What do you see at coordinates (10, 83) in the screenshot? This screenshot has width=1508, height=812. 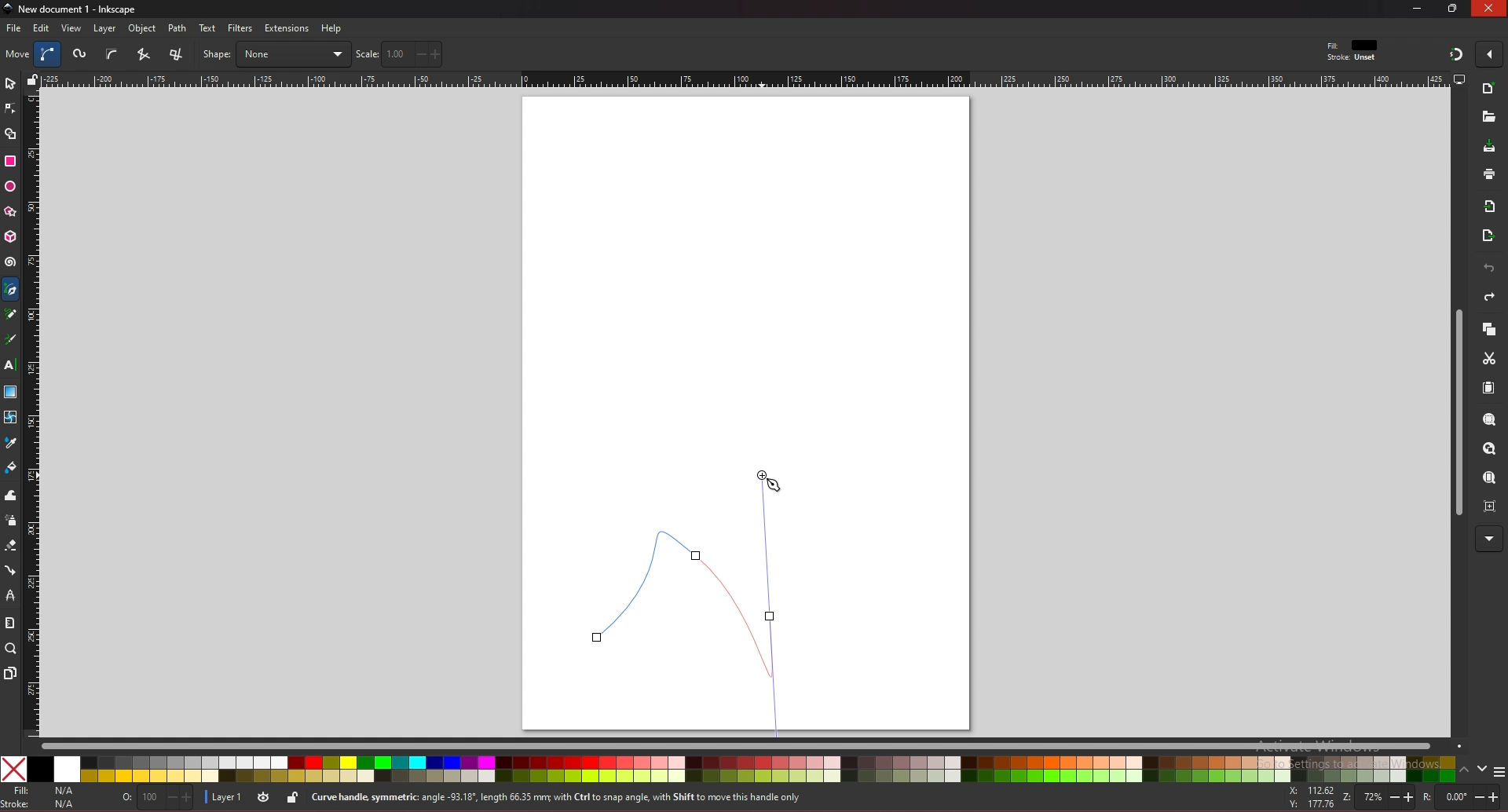 I see `selector` at bounding box center [10, 83].